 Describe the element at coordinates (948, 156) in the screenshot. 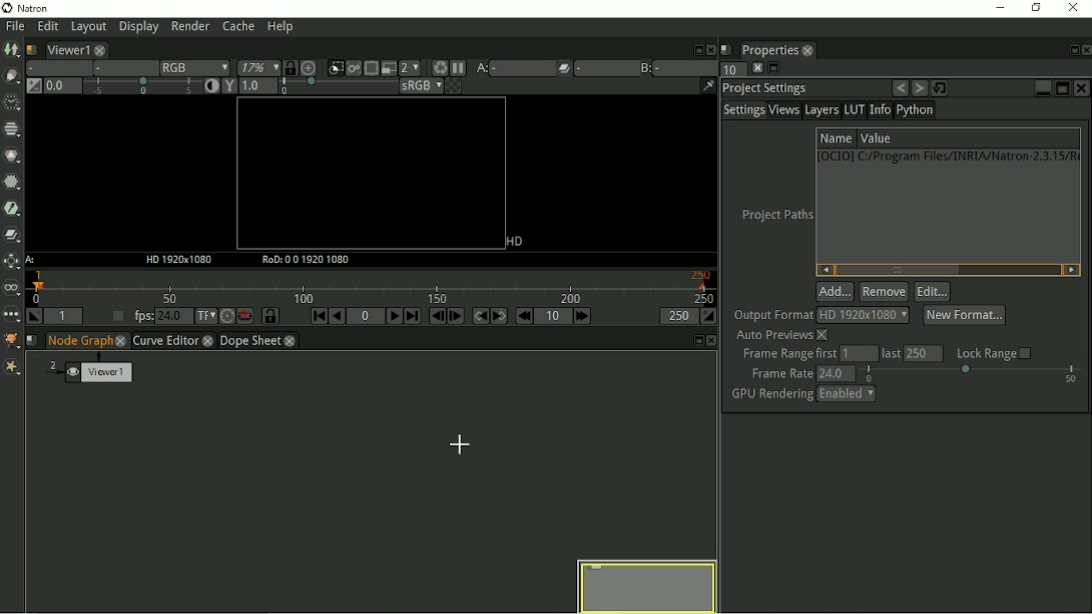

I see `1 [0CIO0] C:/Program Files/INRIA/Natron-2.3.15/R(` at that location.